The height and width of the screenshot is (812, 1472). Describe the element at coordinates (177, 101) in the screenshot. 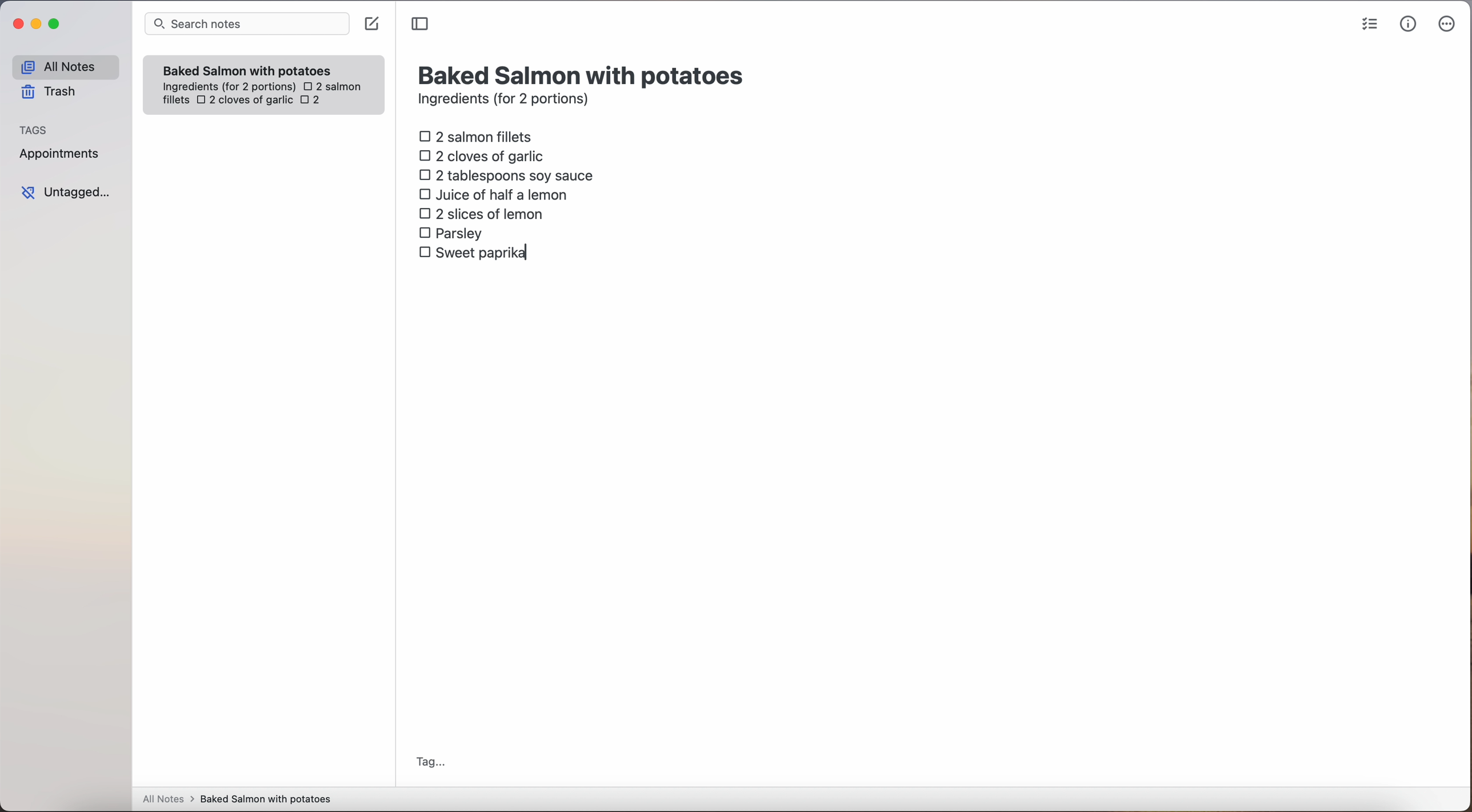

I see `fillets` at that location.